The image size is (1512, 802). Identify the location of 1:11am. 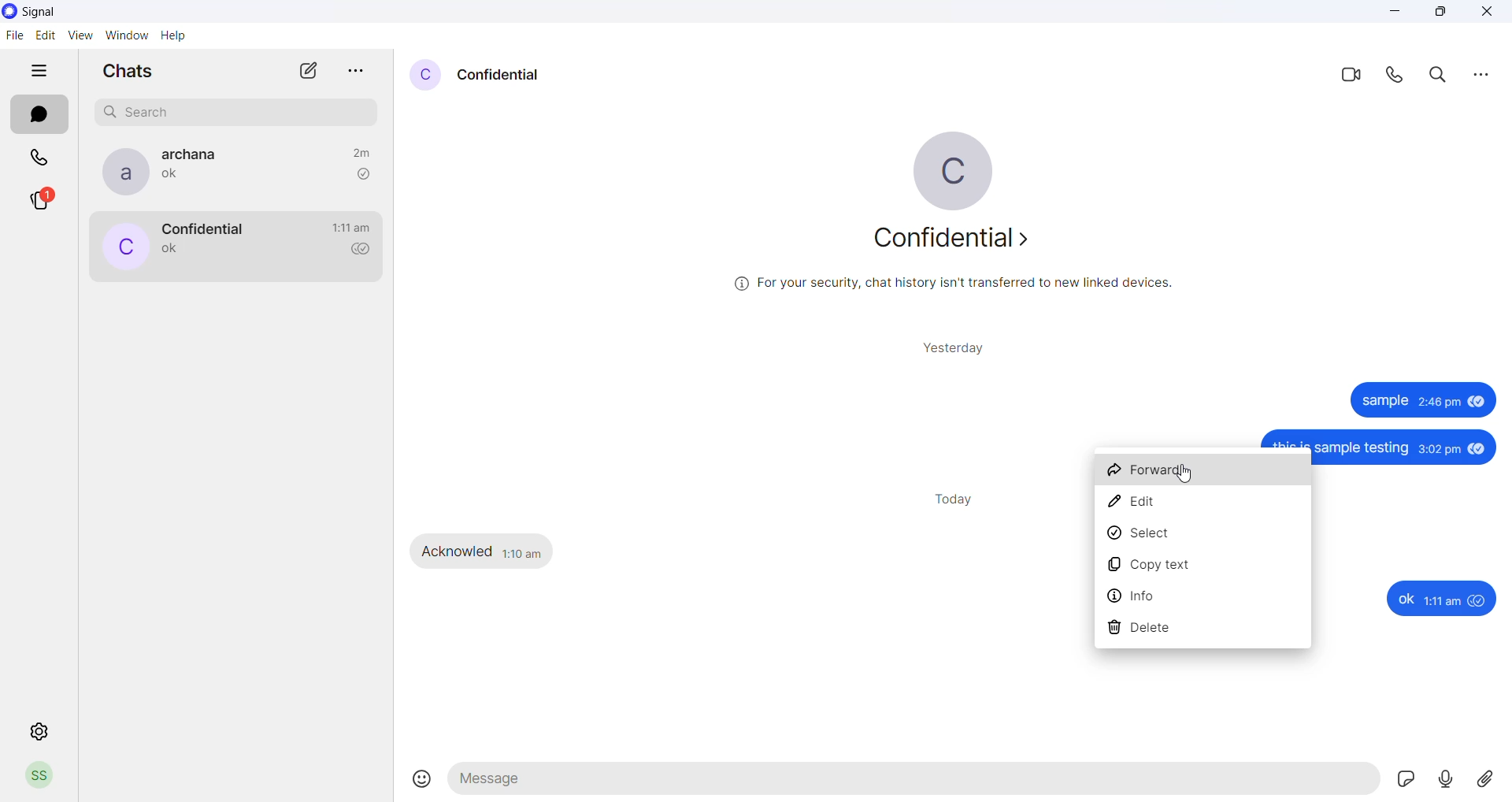
(1444, 601).